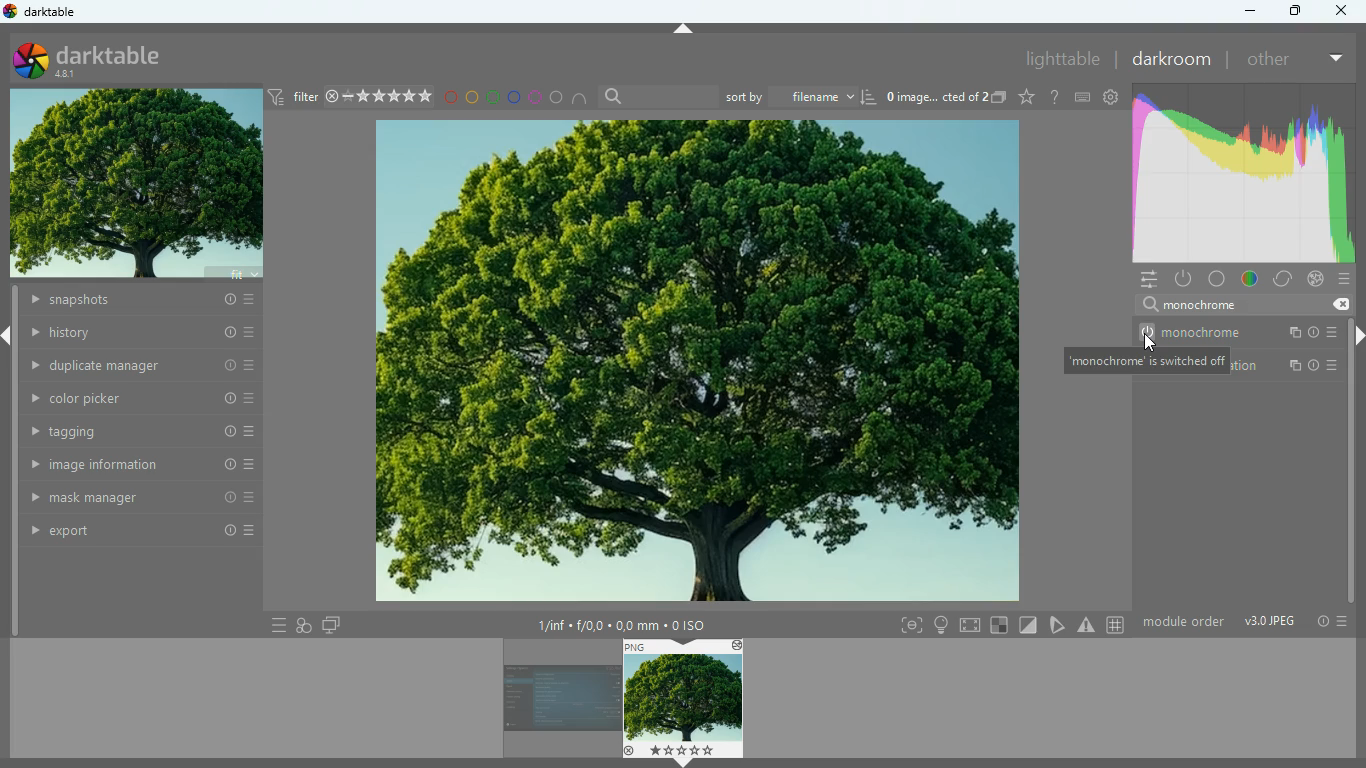  Describe the element at coordinates (144, 302) in the screenshot. I see `snapshots` at that location.